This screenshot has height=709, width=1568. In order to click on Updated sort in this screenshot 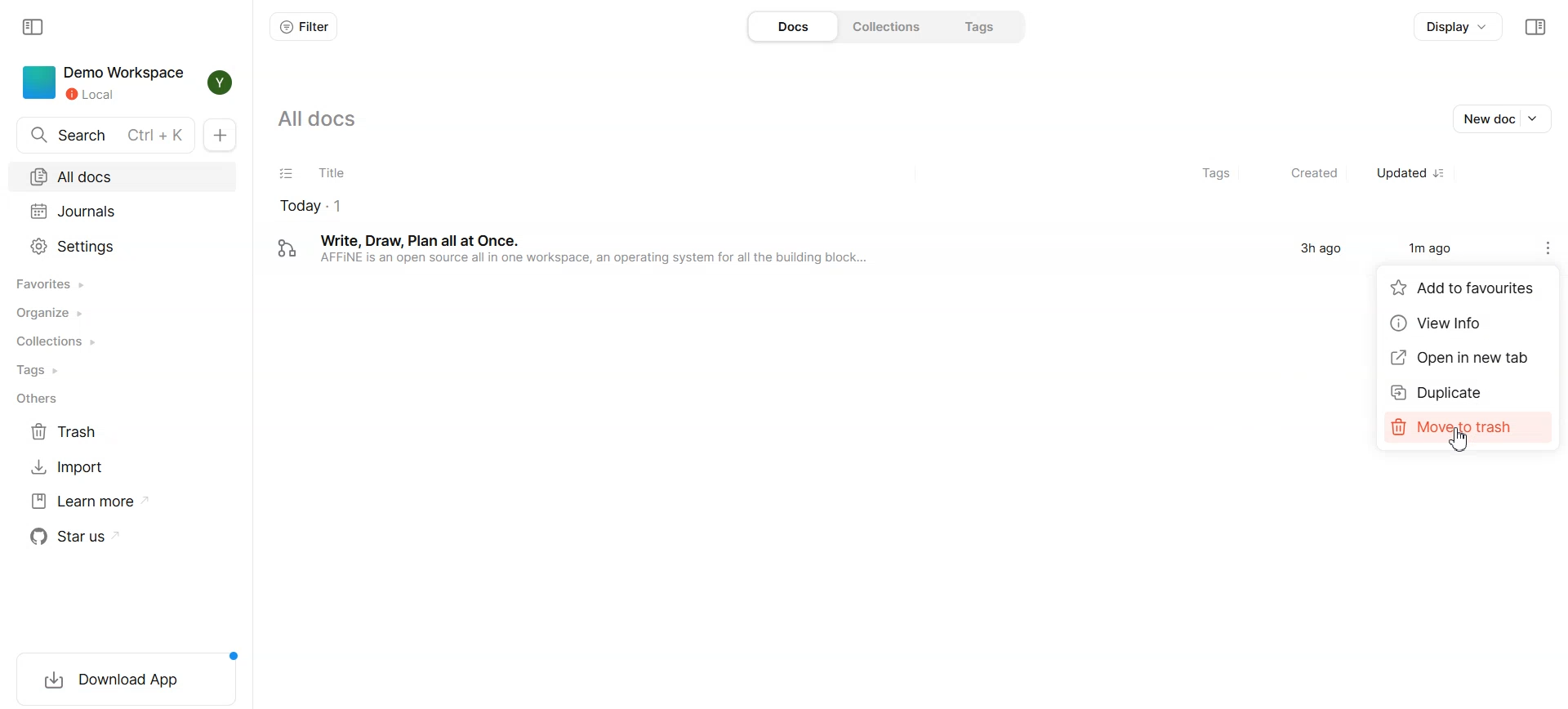, I will do `click(1412, 175)`.